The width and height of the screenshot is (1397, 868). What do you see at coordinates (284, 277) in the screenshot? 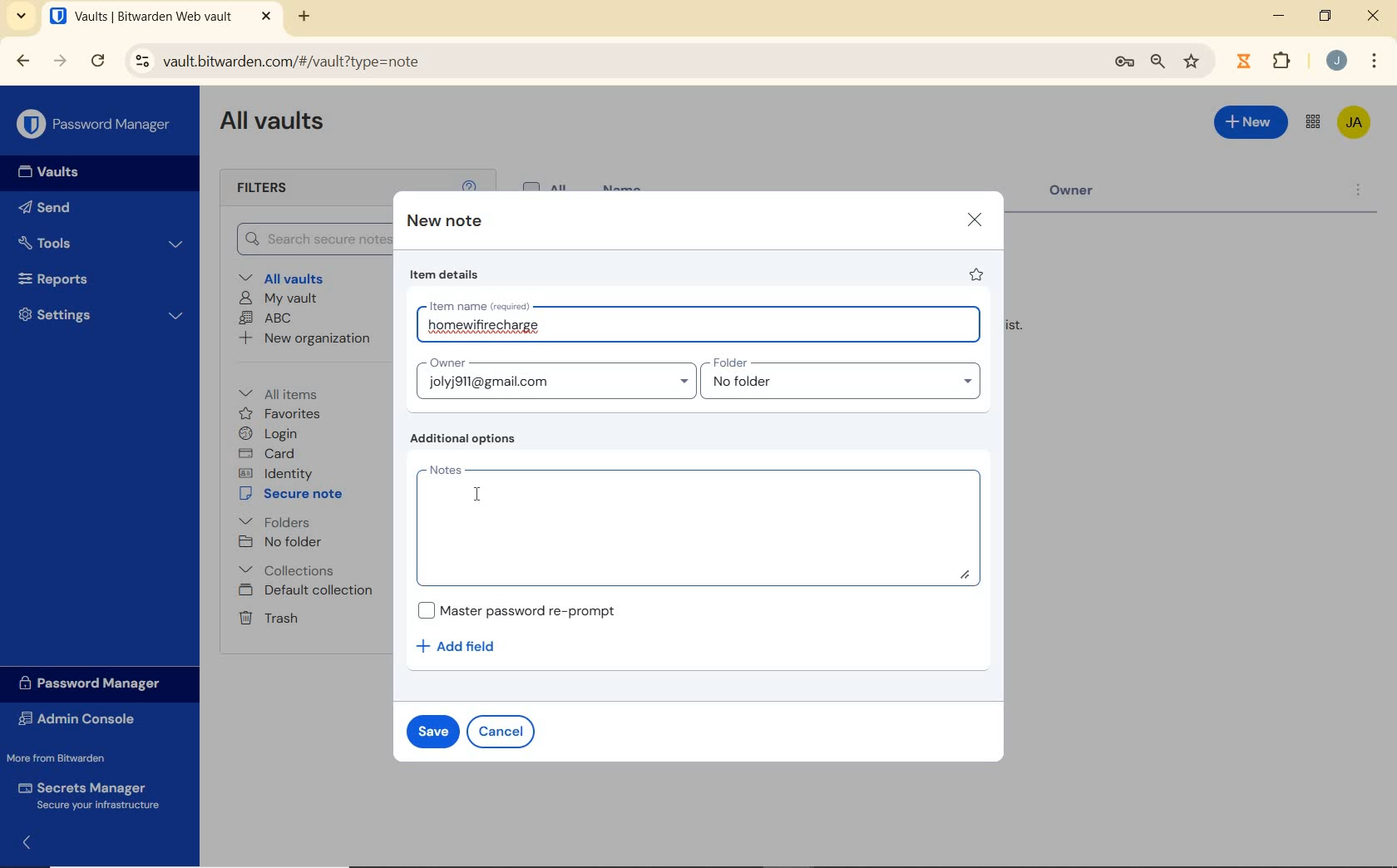
I see `All vaults` at bounding box center [284, 277].